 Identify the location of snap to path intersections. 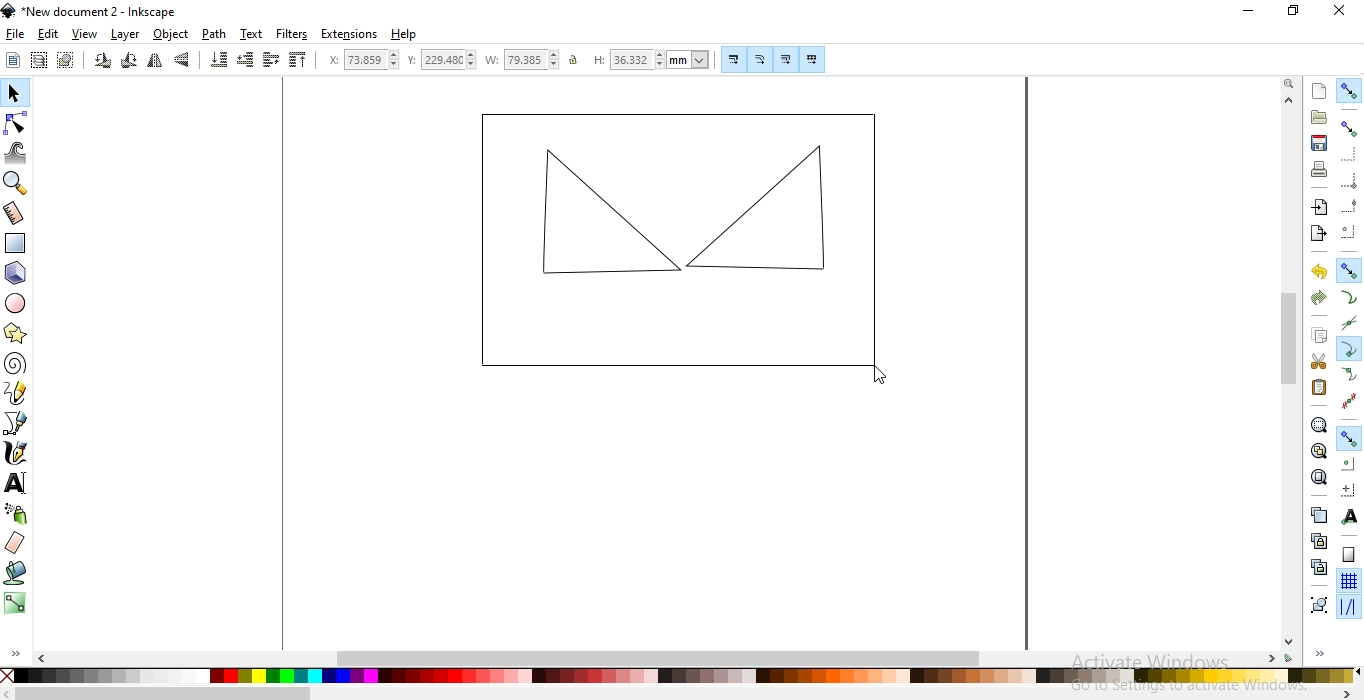
(1352, 322).